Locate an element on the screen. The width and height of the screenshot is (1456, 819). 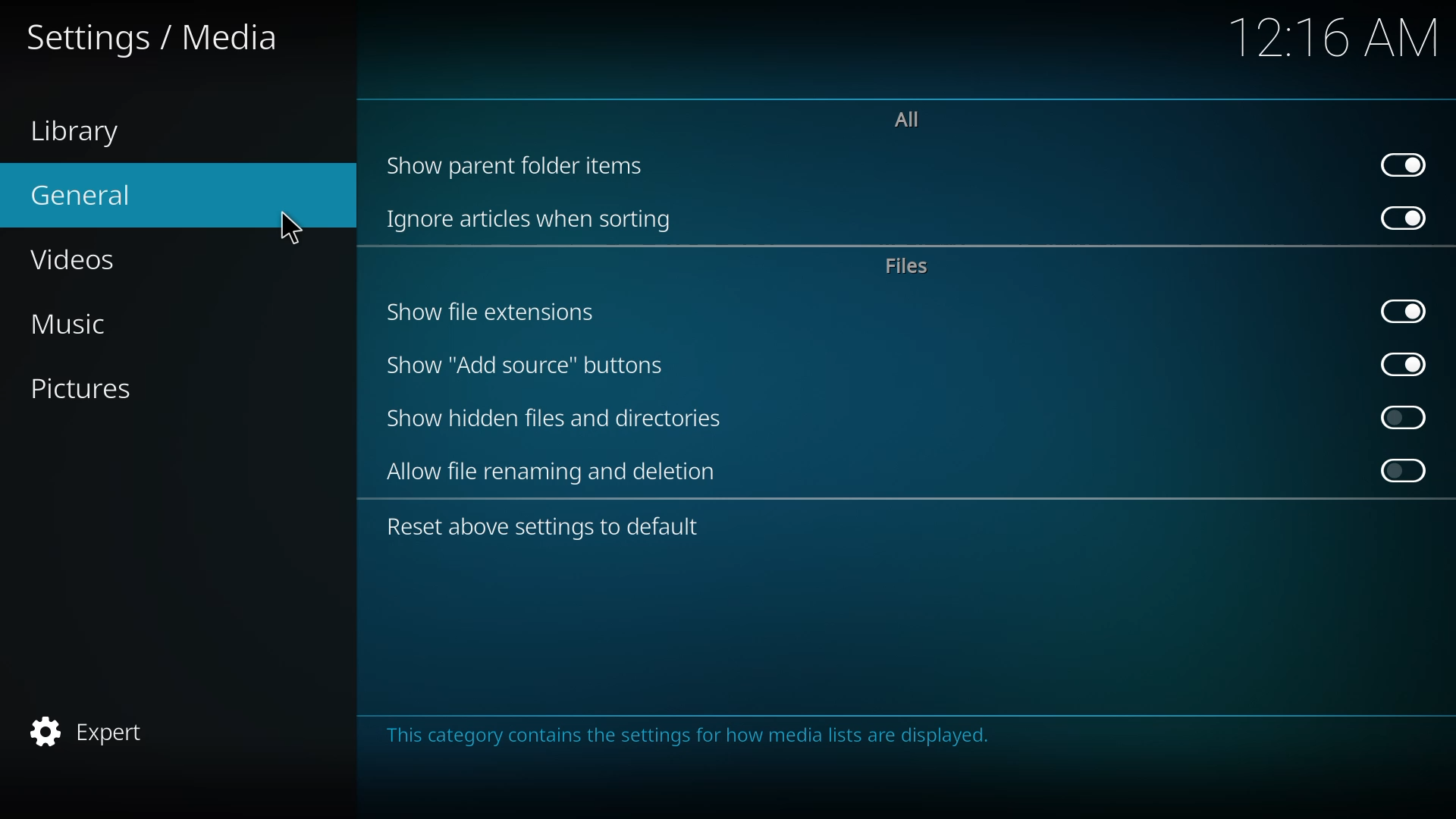
enabled is located at coordinates (1404, 311).